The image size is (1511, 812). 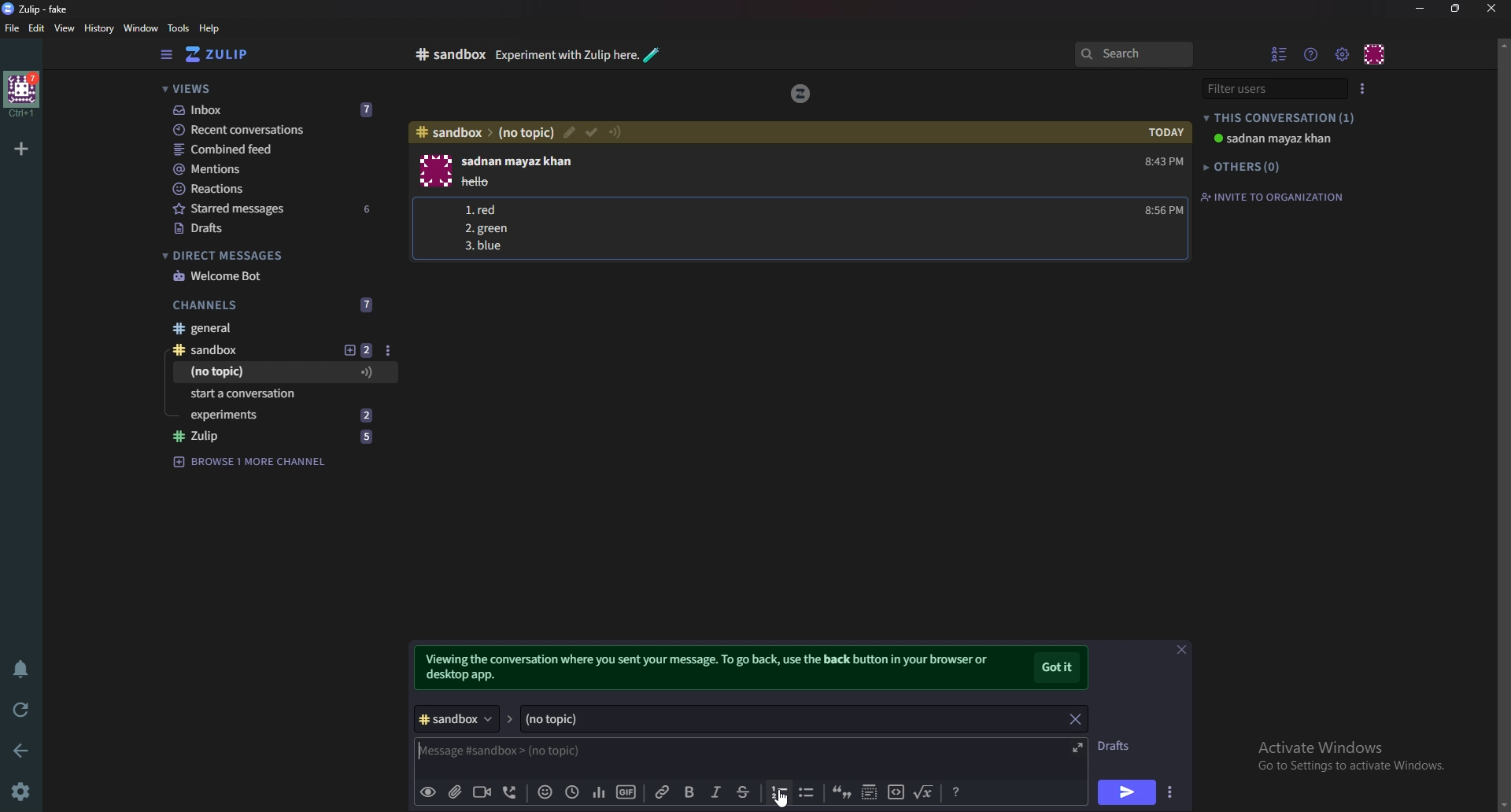 What do you see at coordinates (567, 134) in the screenshot?
I see `edit topic` at bounding box center [567, 134].